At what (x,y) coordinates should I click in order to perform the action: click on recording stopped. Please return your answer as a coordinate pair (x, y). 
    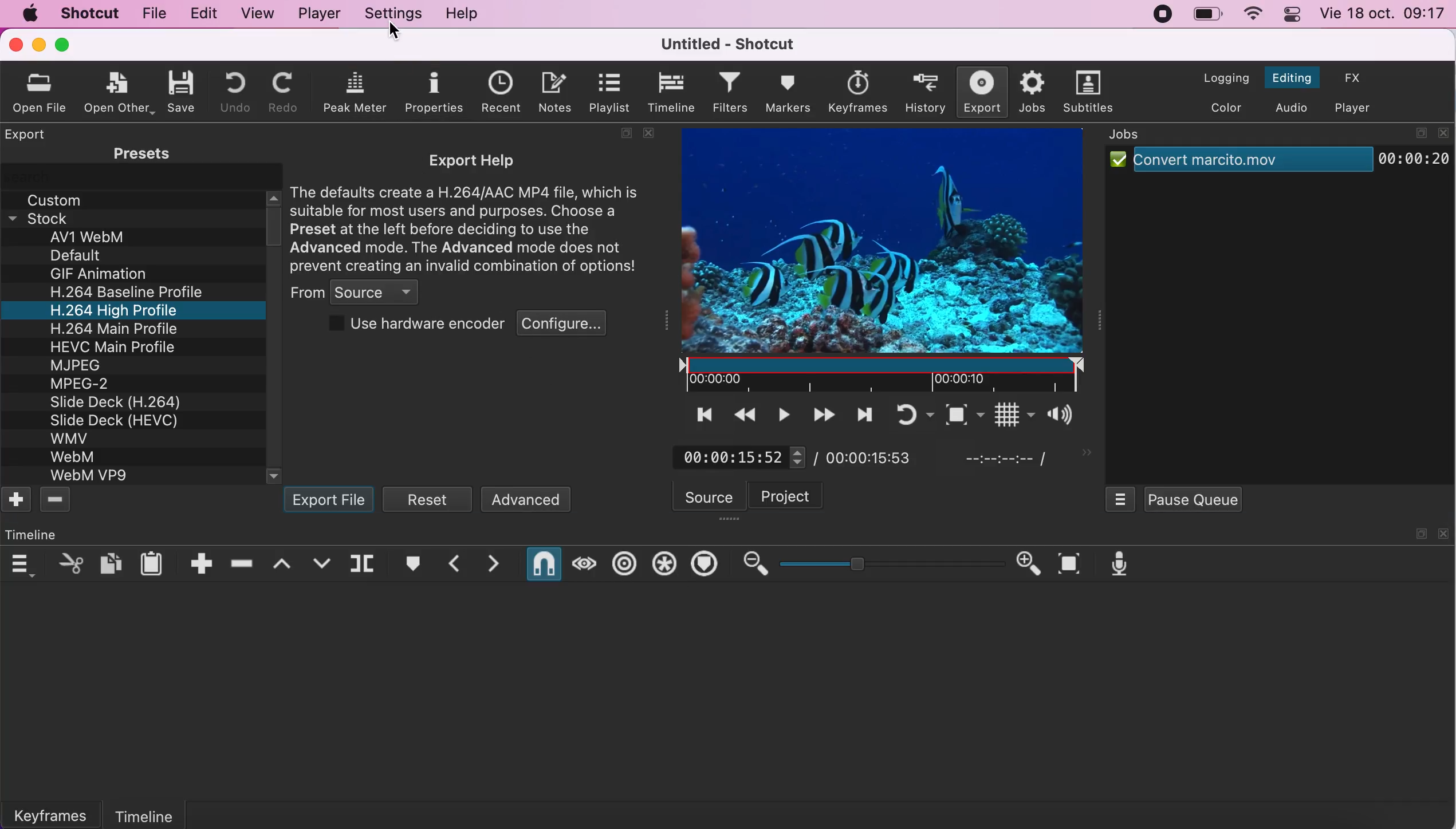
    Looking at the image, I should click on (1160, 13).